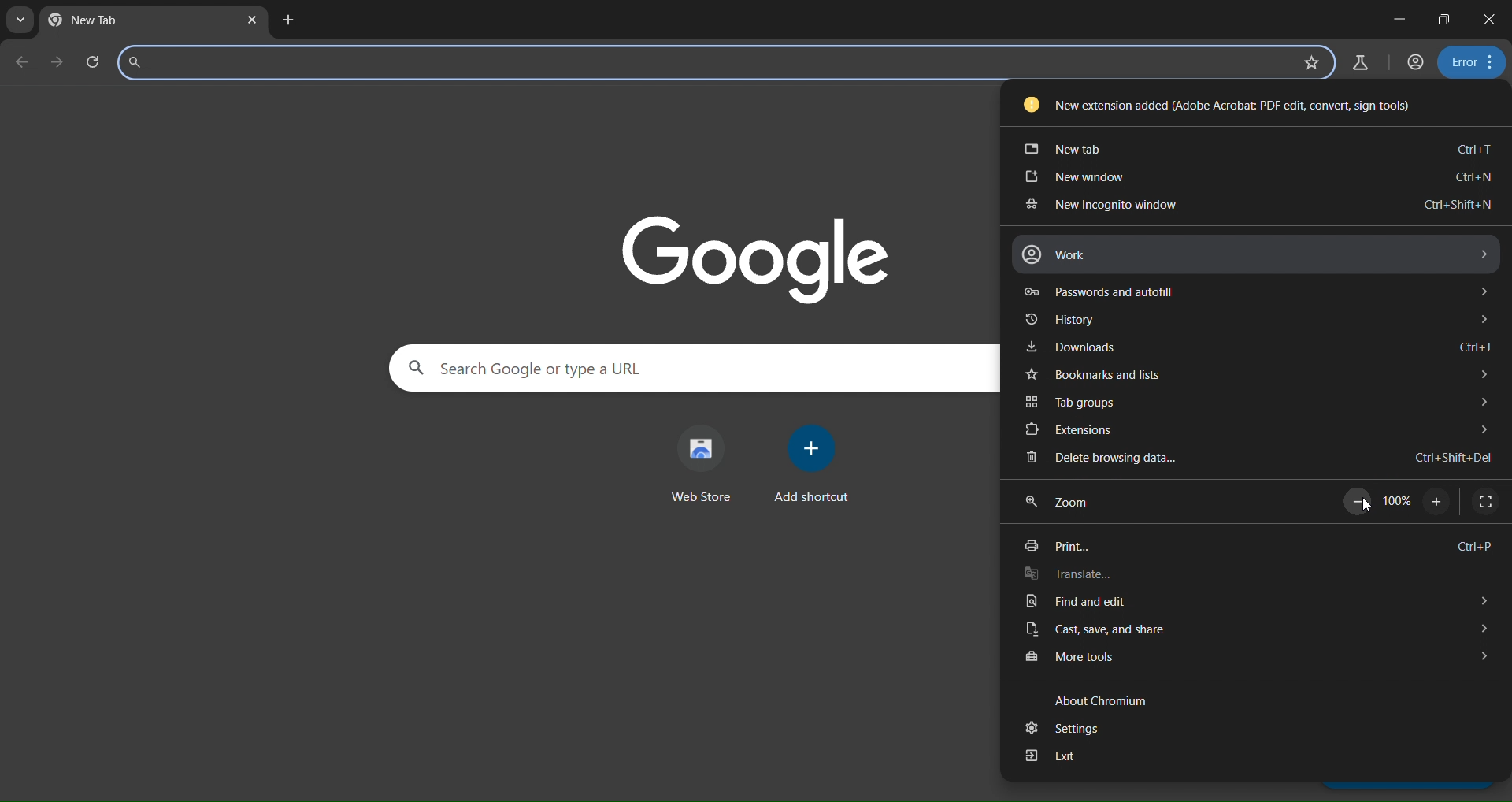 The width and height of the screenshot is (1512, 802). I want to click on minimize, so click(1398, 17).